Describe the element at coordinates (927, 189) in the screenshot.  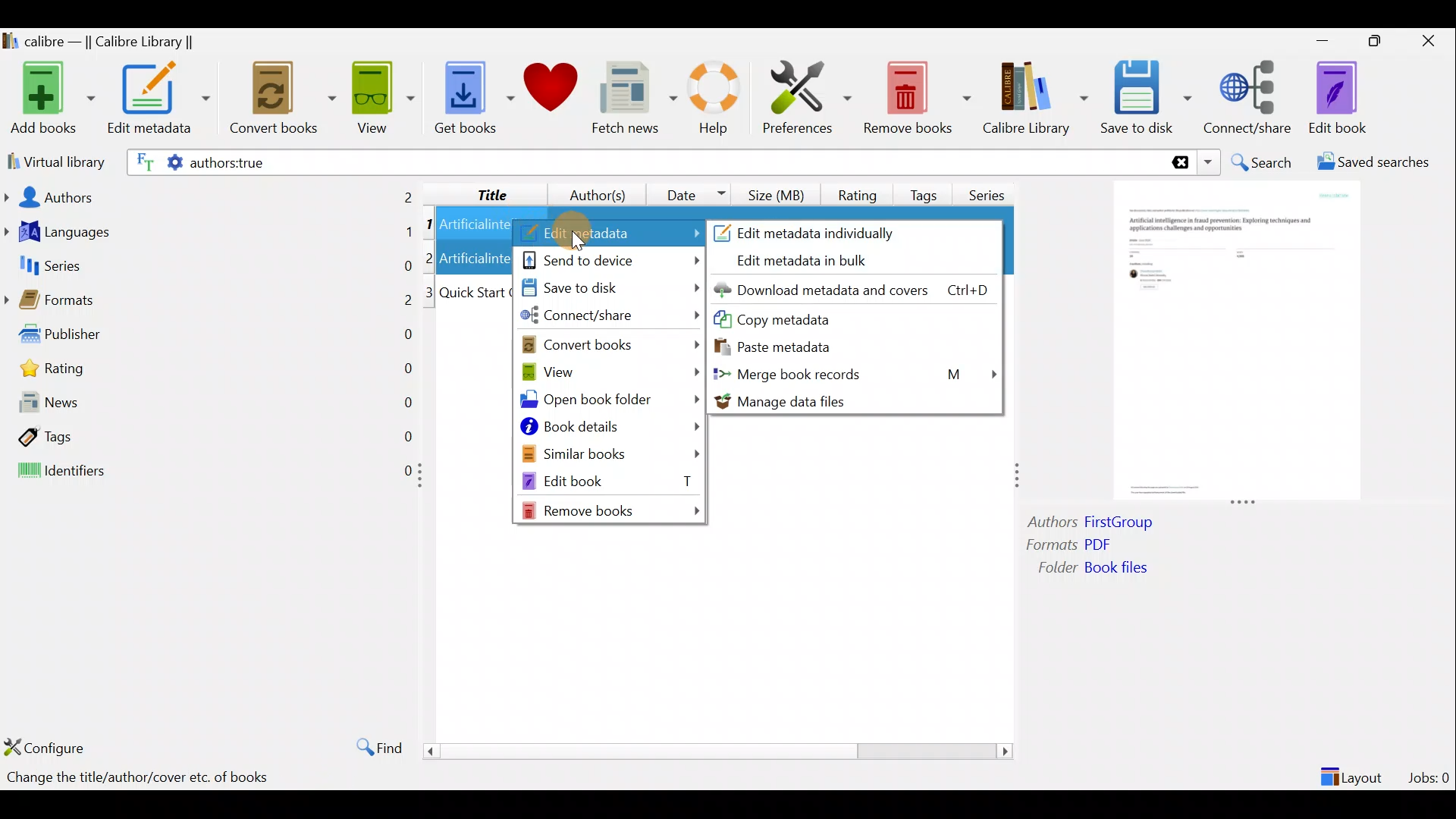
I see `Tags` at that location.